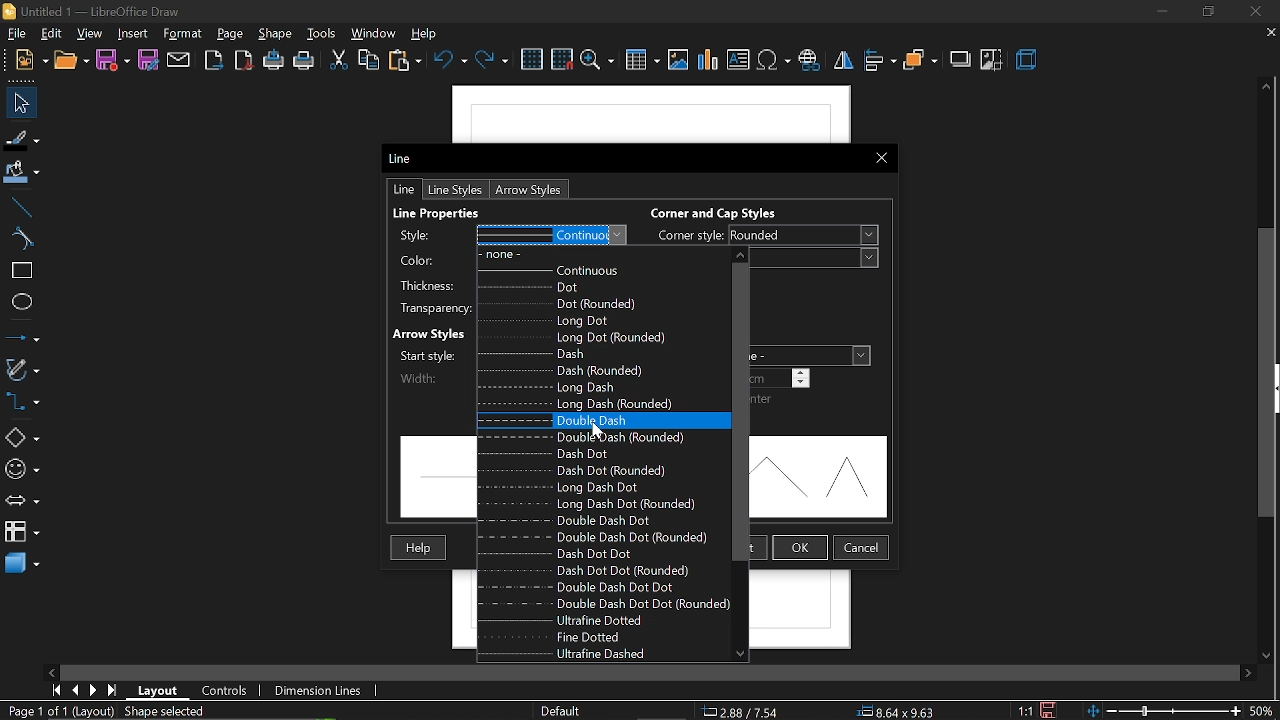  What do you see at coordinates (15, 34) in the screenshot?
I see `file` at bounding box center [15, 34].